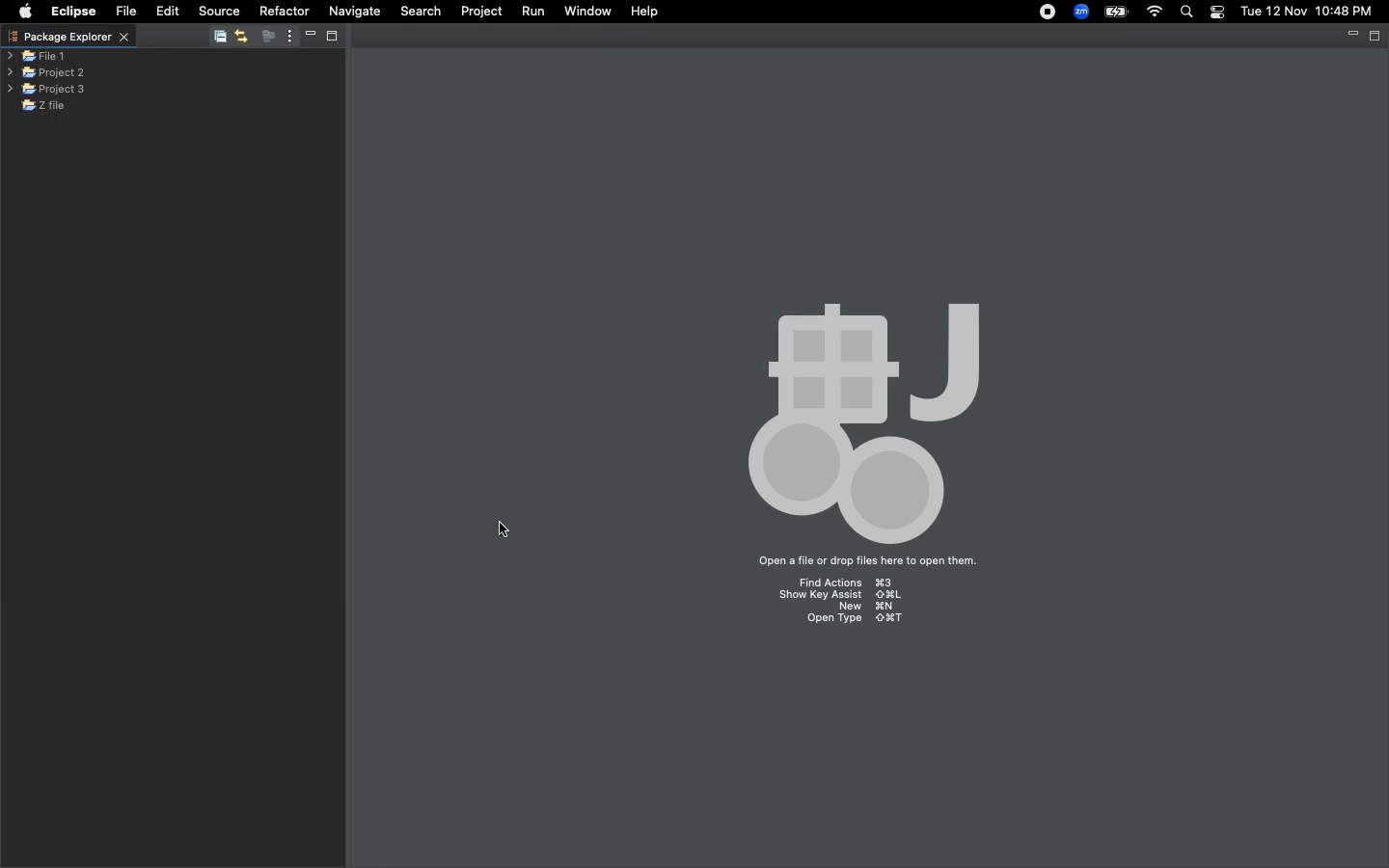 This screenshot has height=868, width=1389. What do you see at coordinates (644, 12) in the screenshot?
I see `Help` at bounding box center [644, 12].